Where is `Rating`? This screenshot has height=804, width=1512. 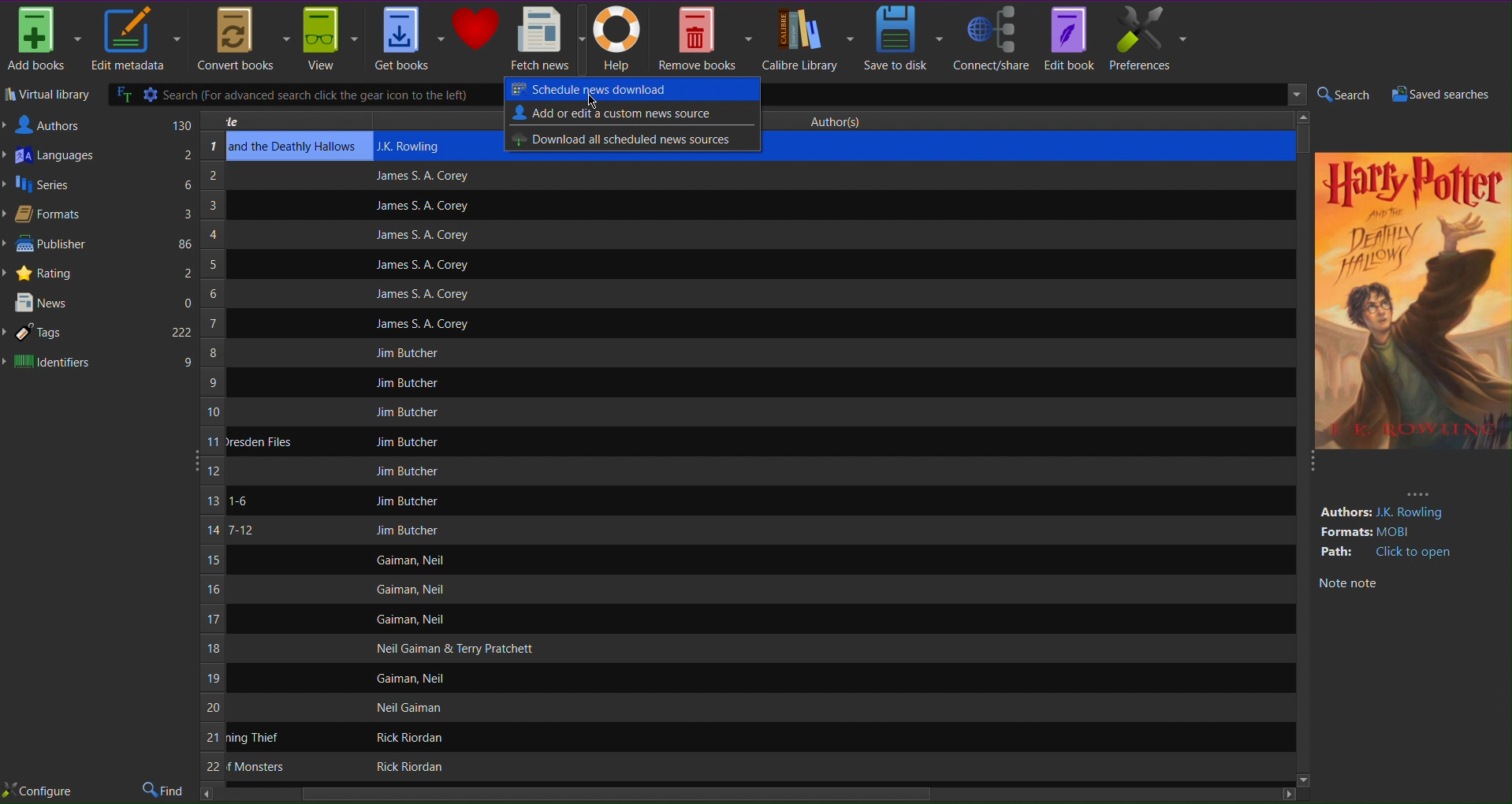
Rating is located at coordinates (99, 272).